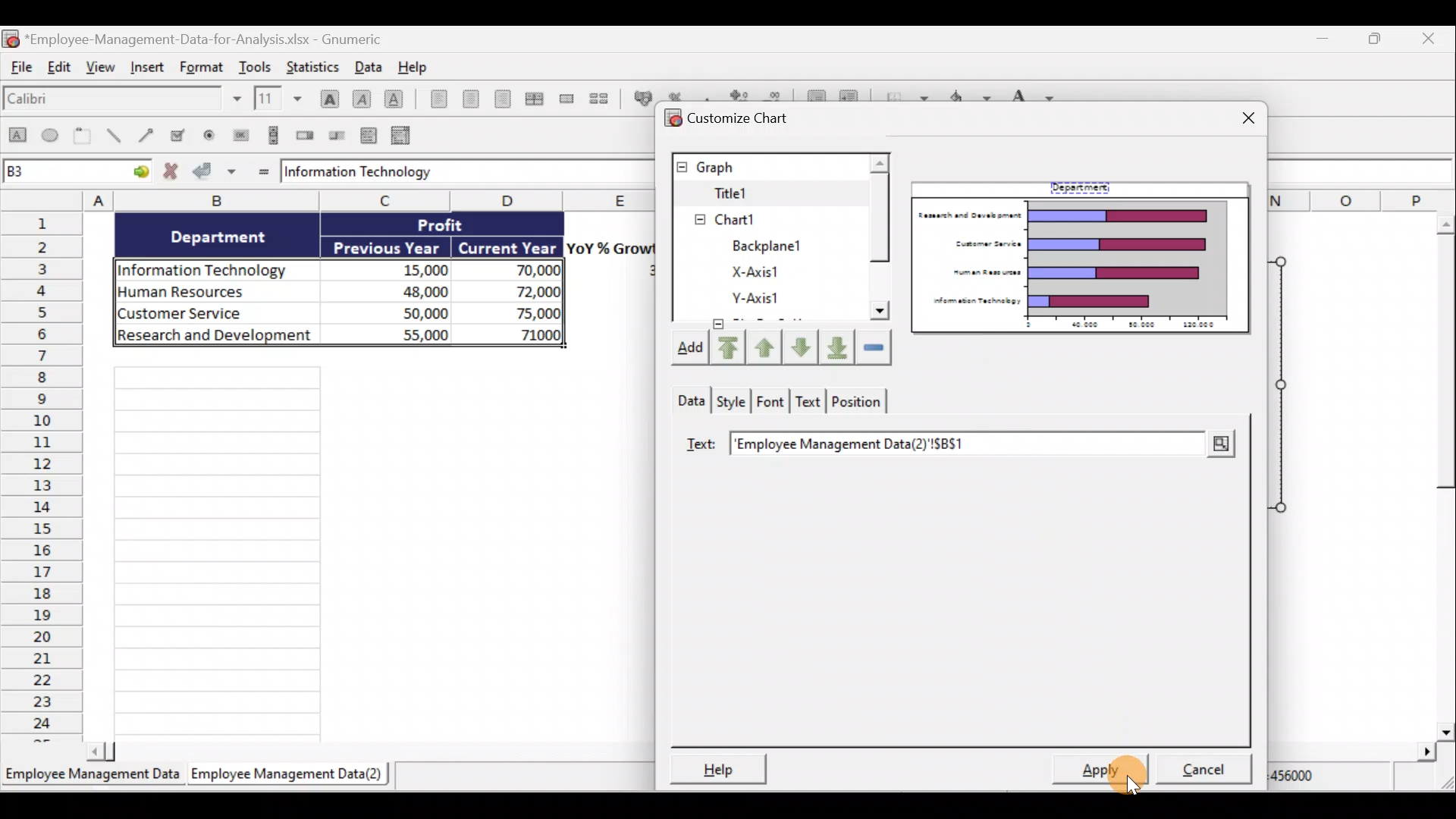 The width and height of the screenshot is (1456, 819). I want to click on Tools, so click(259, 65).